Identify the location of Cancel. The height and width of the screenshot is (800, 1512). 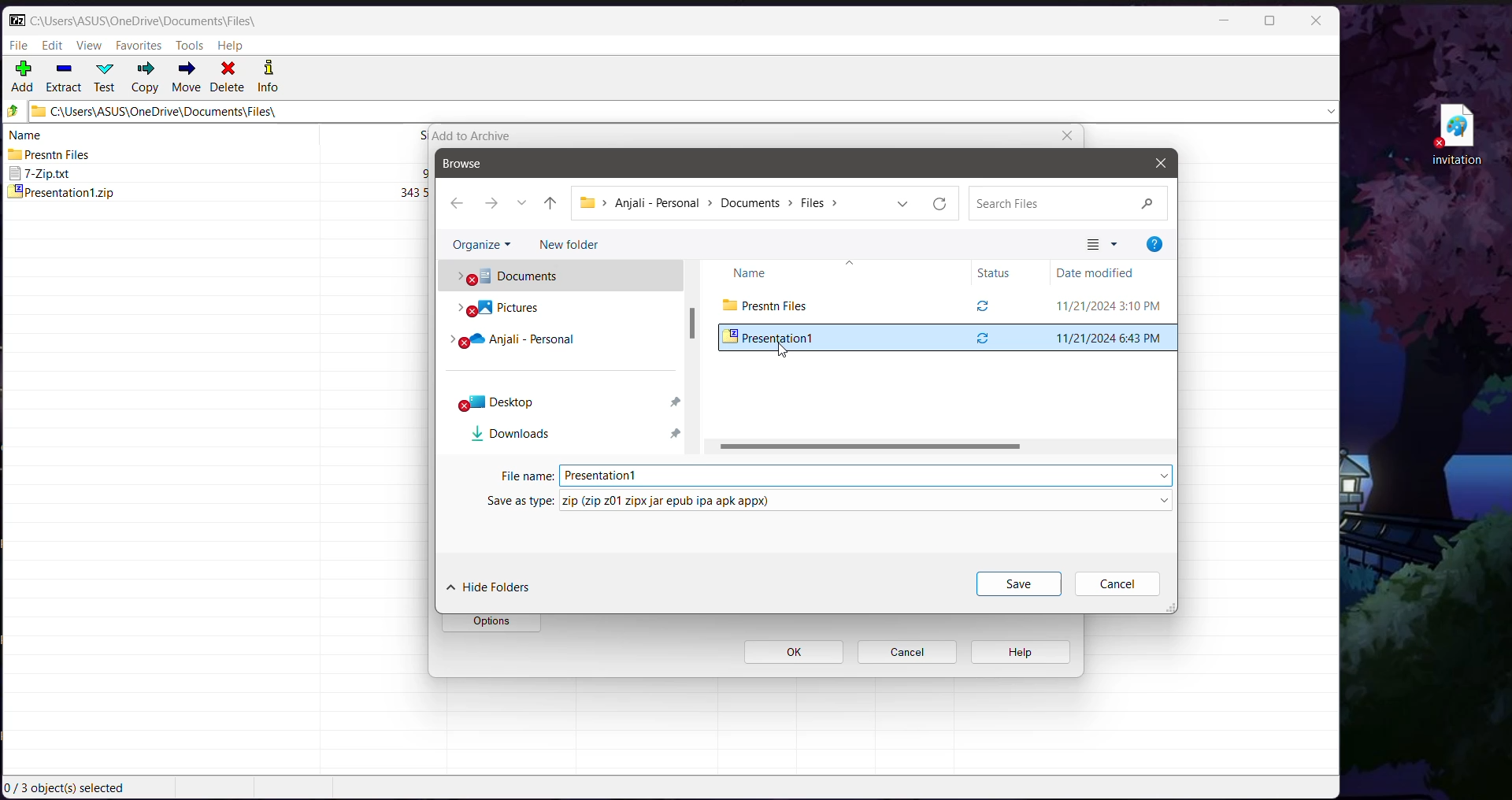
(1116, 585).